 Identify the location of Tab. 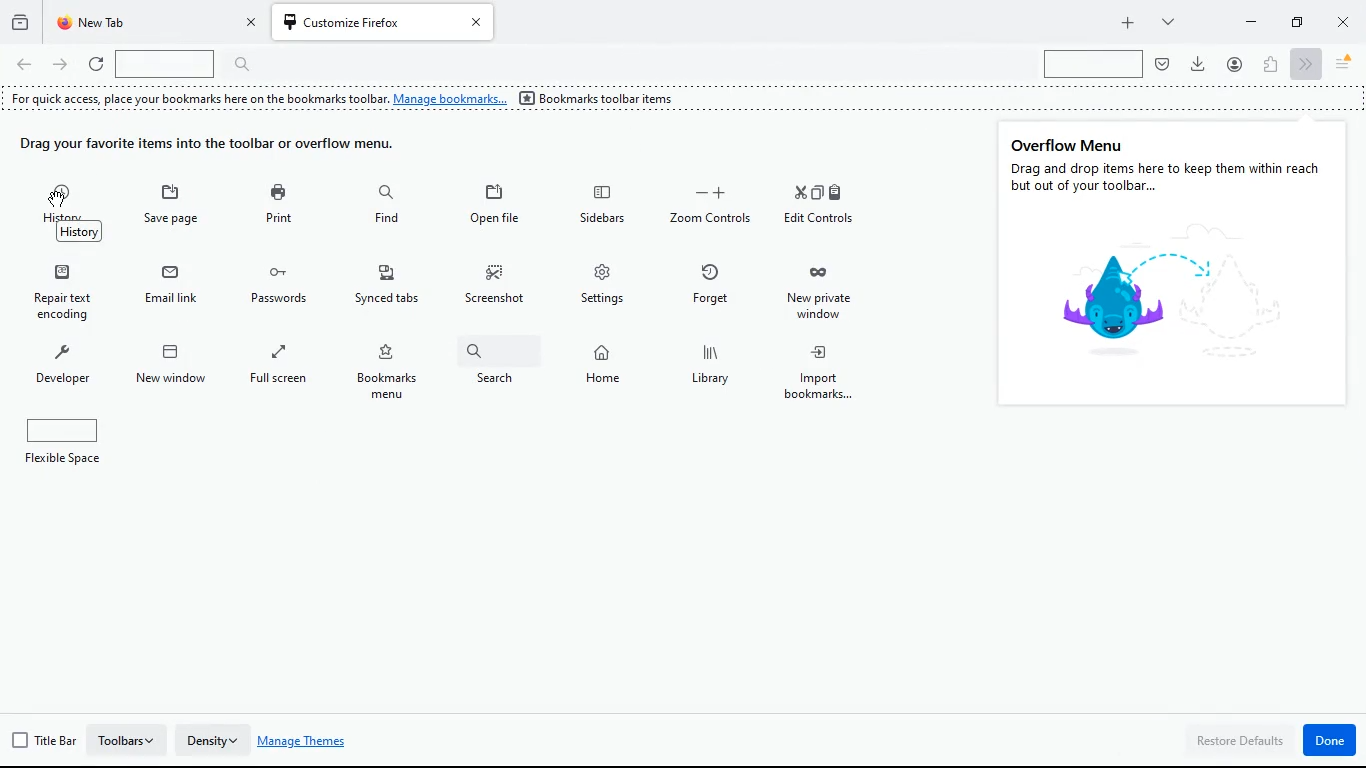
(385, 22).